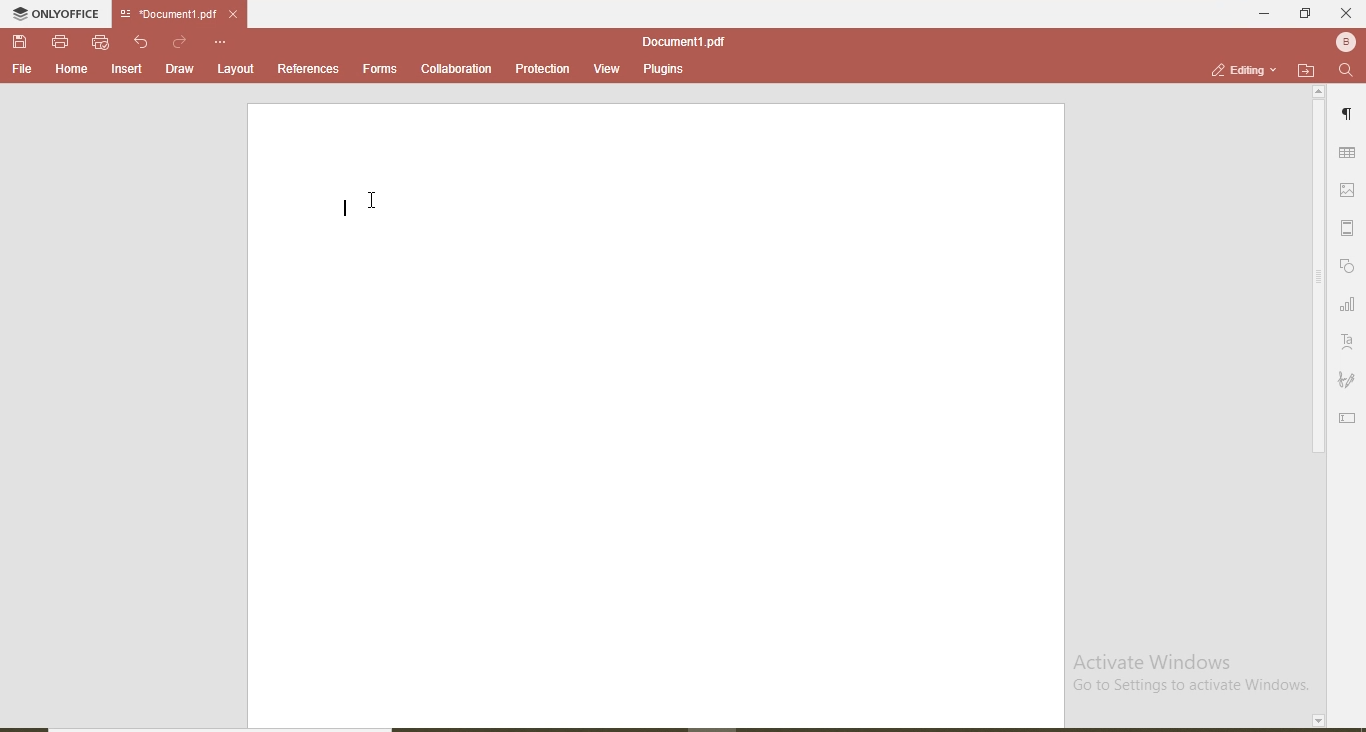 This screenshot has width=1366, height=732. I want to click on paragraph, so click(1350, 117).